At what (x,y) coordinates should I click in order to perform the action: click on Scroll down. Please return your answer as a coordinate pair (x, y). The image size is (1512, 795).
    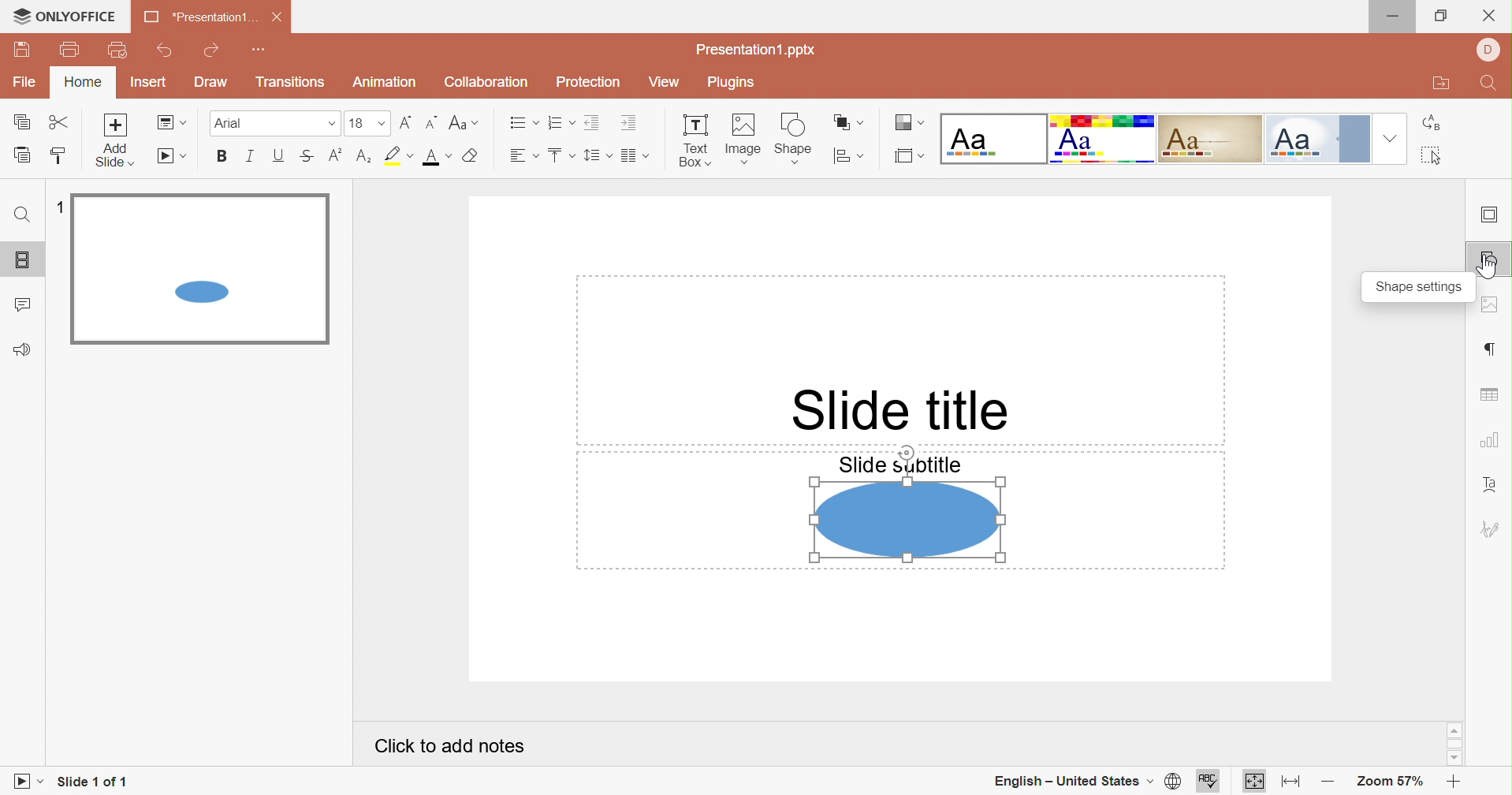
    Looking at the image, I should click on (1454, 760).